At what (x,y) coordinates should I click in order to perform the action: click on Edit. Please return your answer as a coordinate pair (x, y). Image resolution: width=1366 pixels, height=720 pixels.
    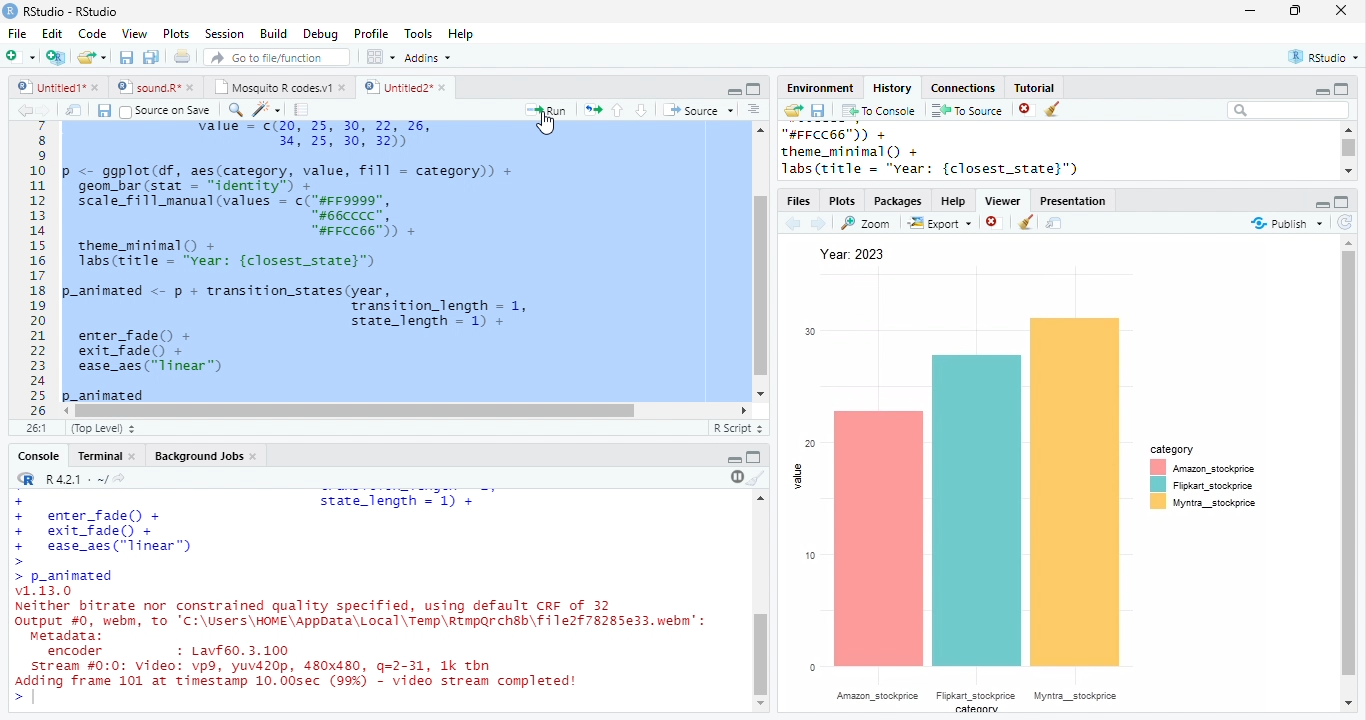
    Looking at the image, I should click on (52, 33).